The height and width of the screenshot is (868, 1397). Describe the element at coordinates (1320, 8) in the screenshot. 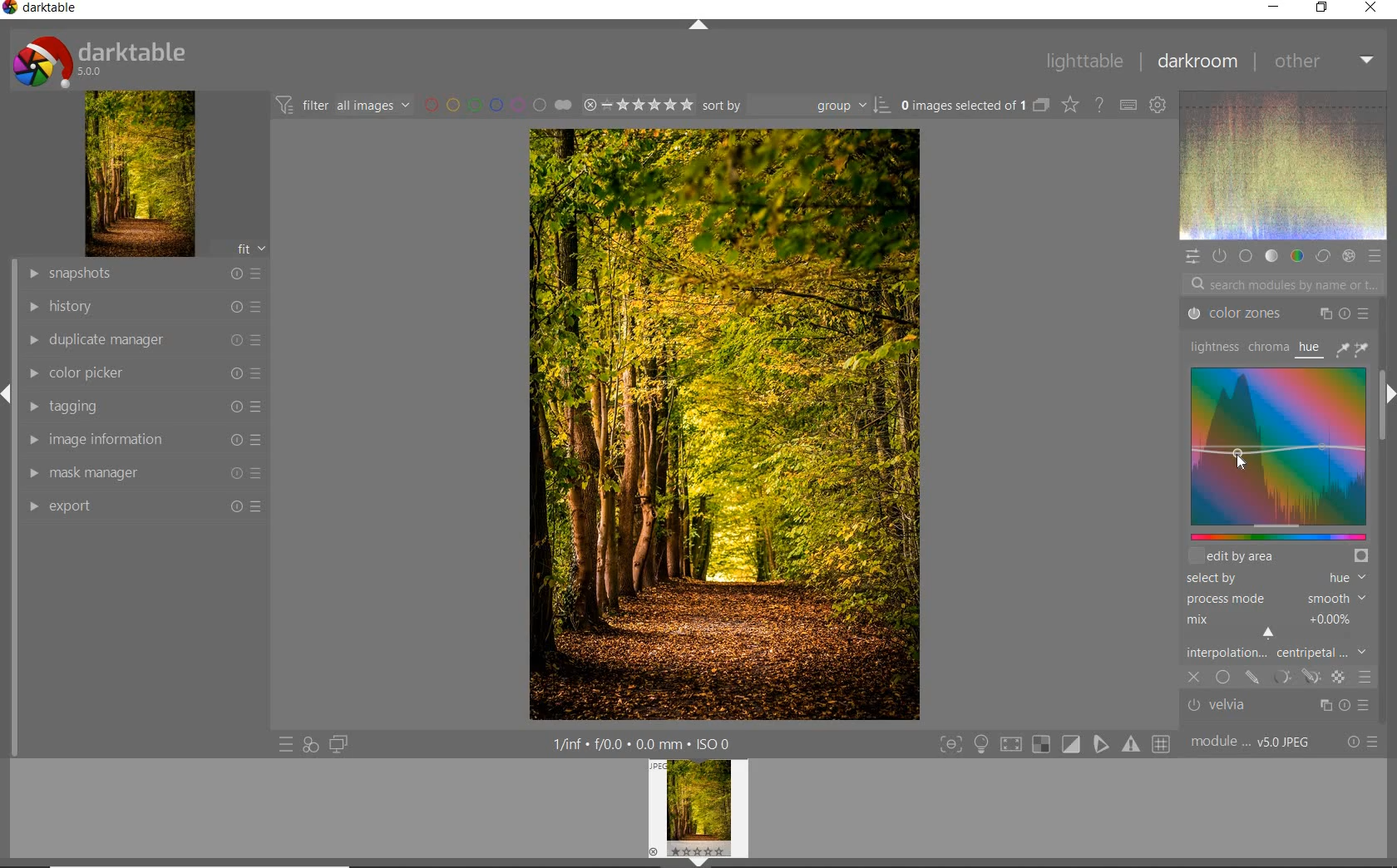

I see `RESTORE` at that location.